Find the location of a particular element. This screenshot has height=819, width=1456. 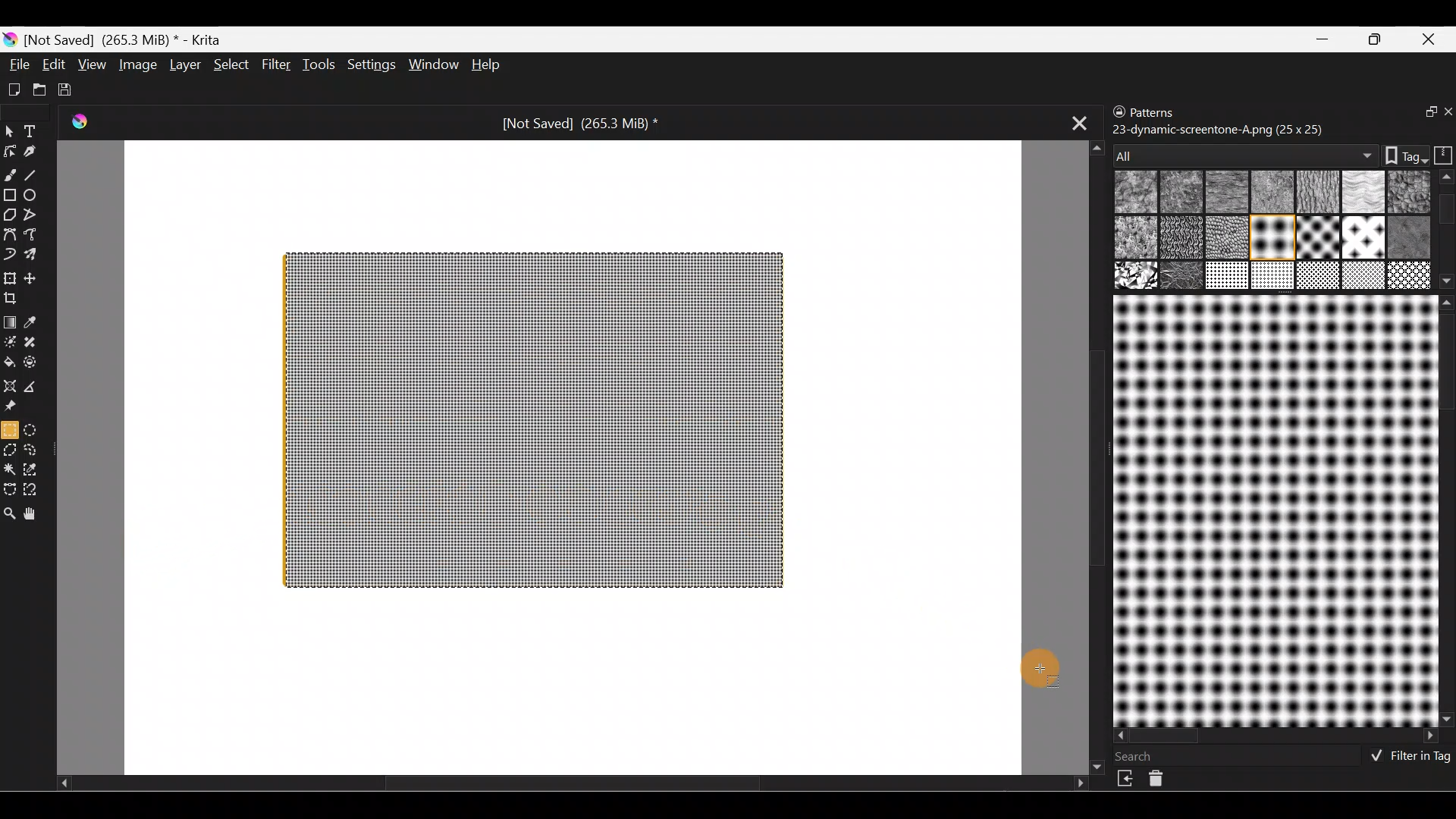

09 drawed_crosshatched.png is located at coordinates (1179, 239).